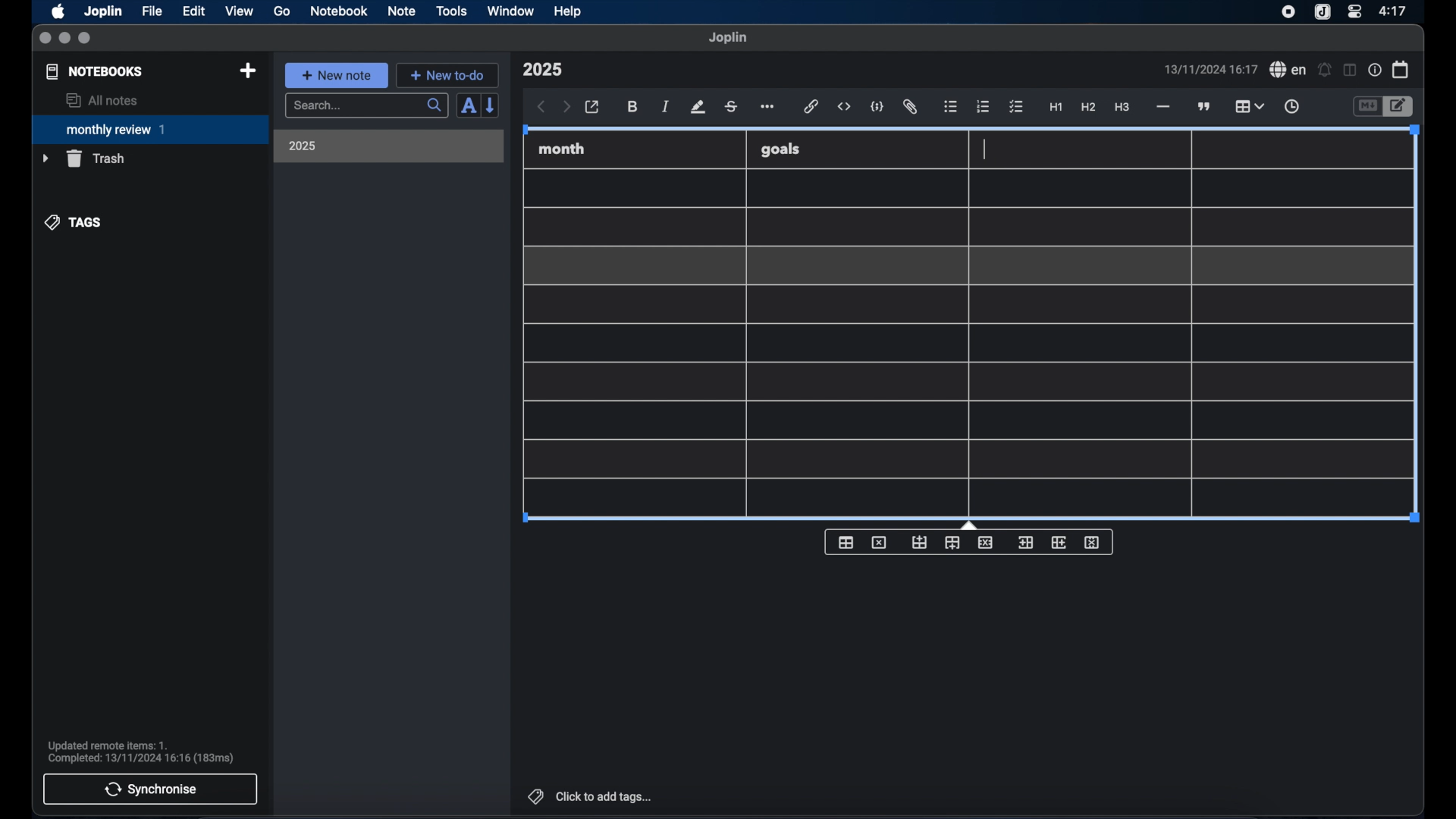 The image size is (1456, 819). I want to click on insert column before, so click(1025, 543).